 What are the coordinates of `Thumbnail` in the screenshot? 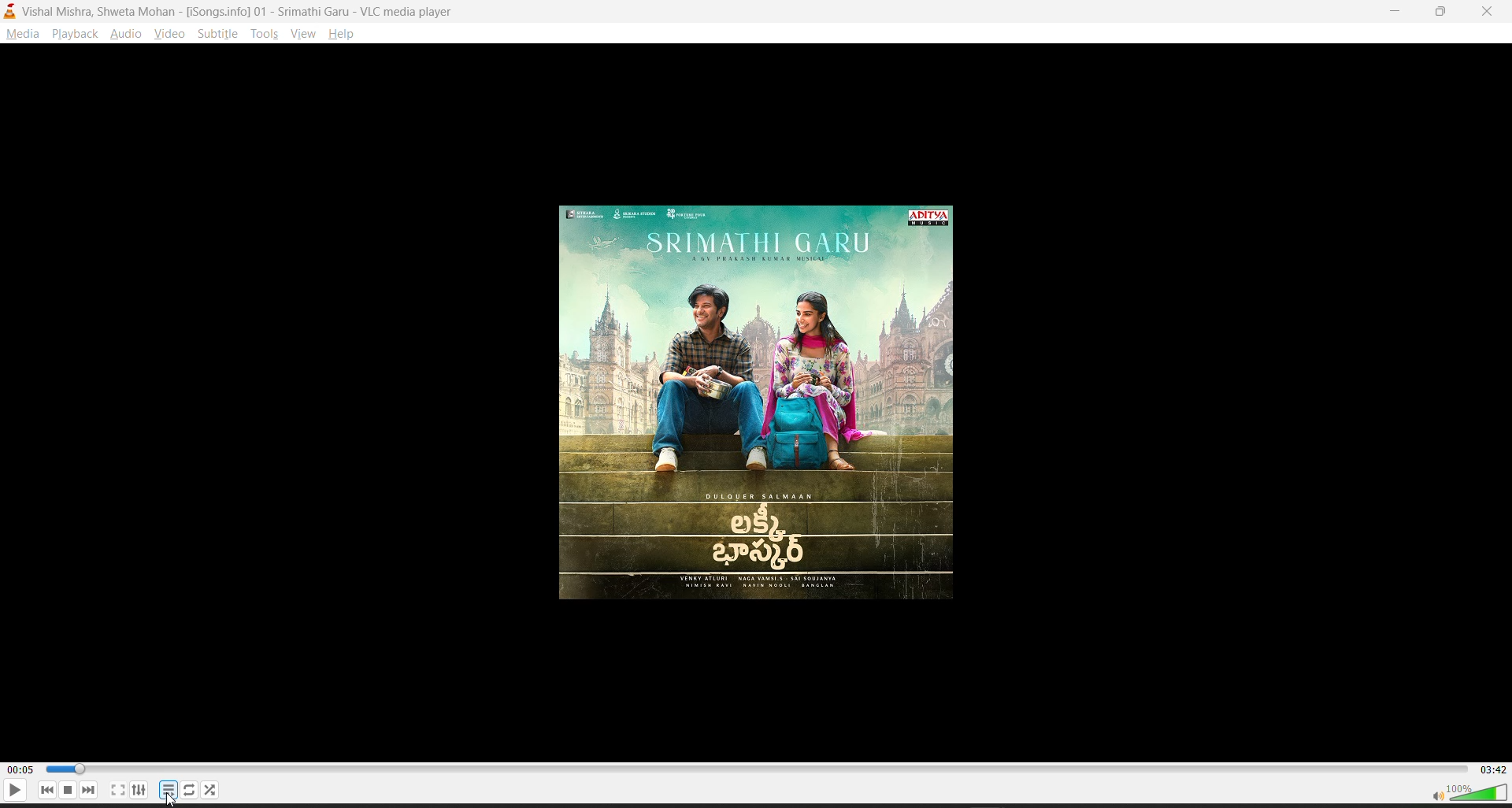 It's located at (756, 404).